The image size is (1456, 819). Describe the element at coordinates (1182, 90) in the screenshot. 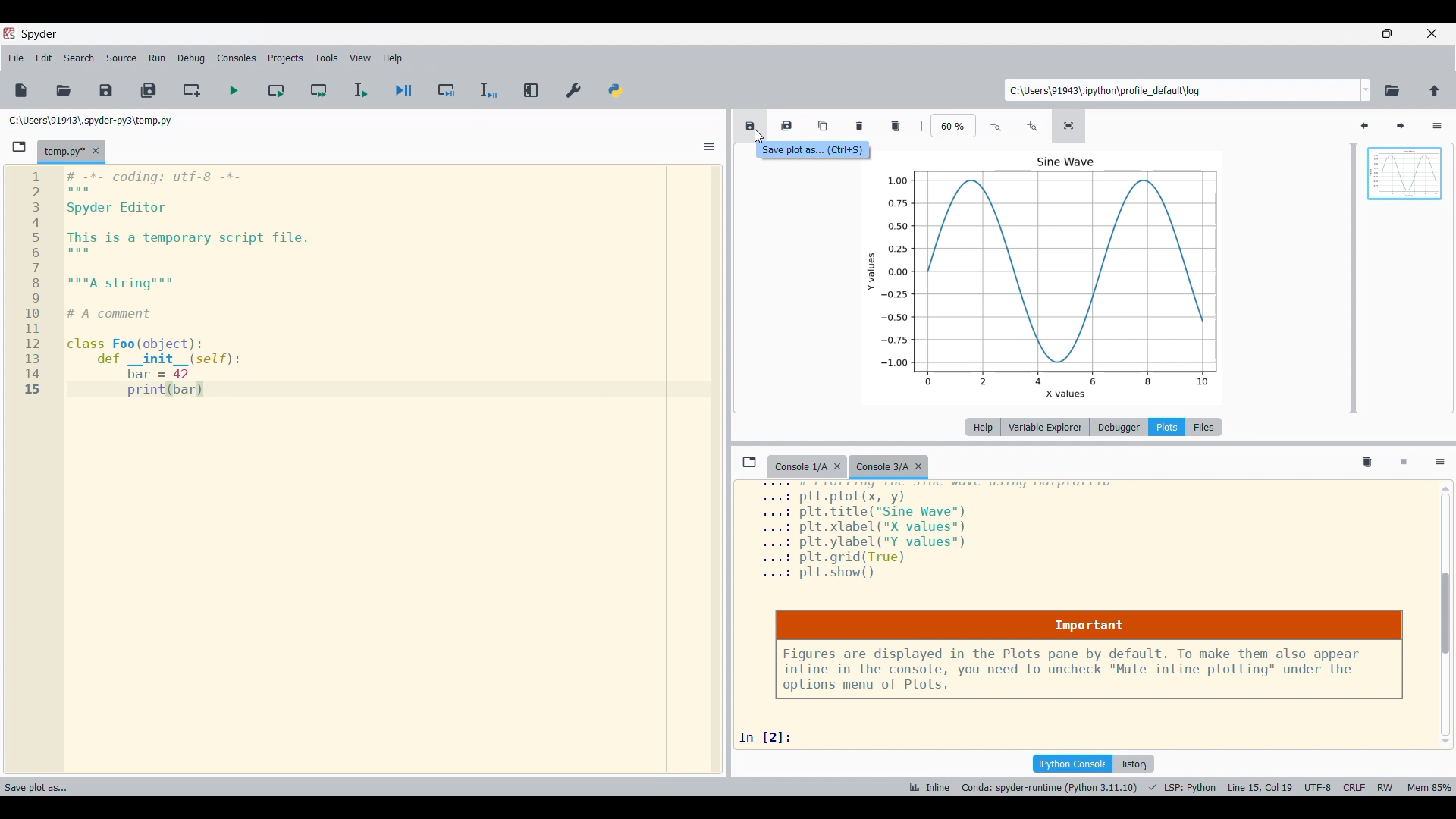

I see `Enter location` at that location.